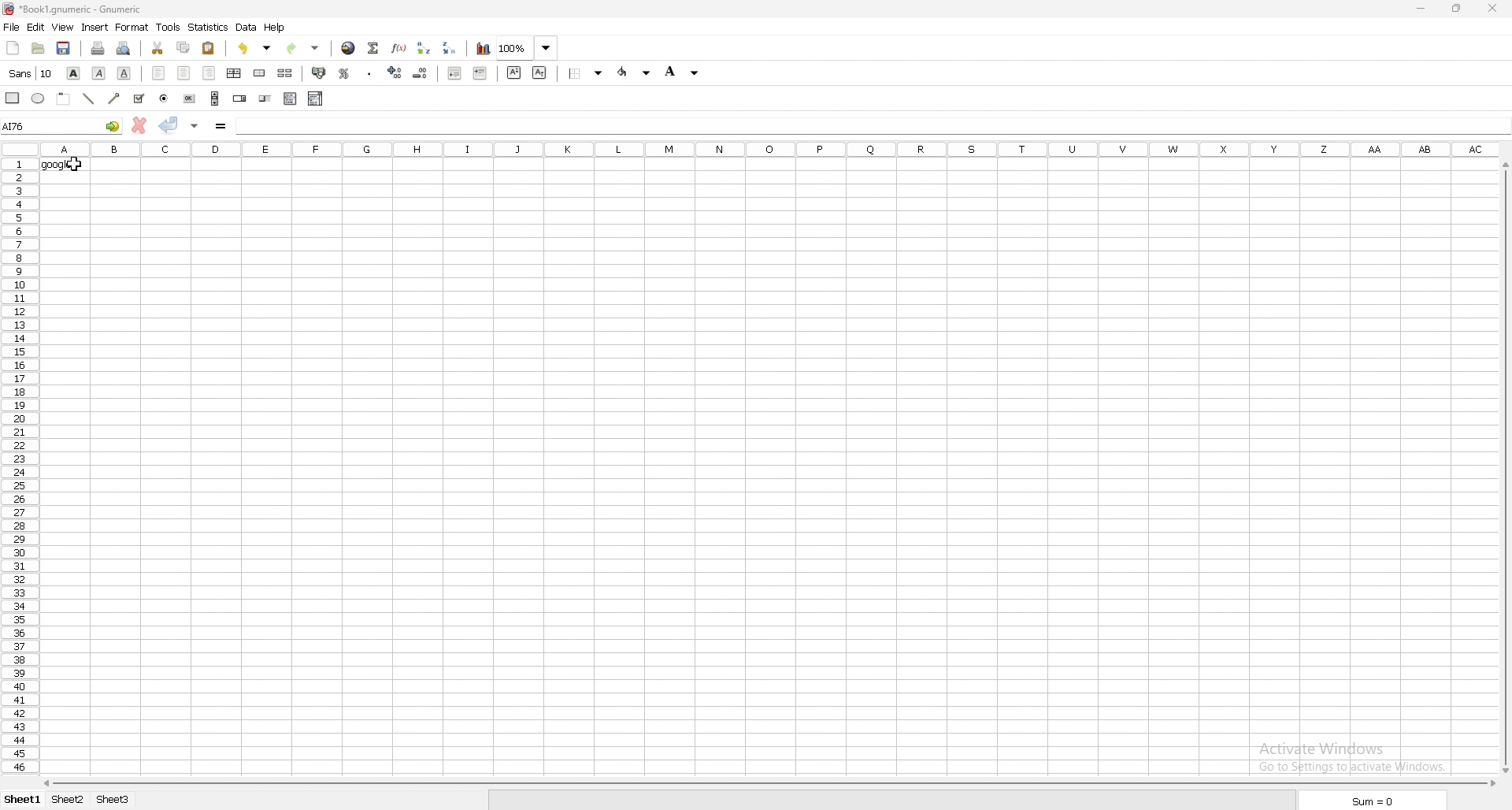  I want to click on cancel change, so click(139, 125).